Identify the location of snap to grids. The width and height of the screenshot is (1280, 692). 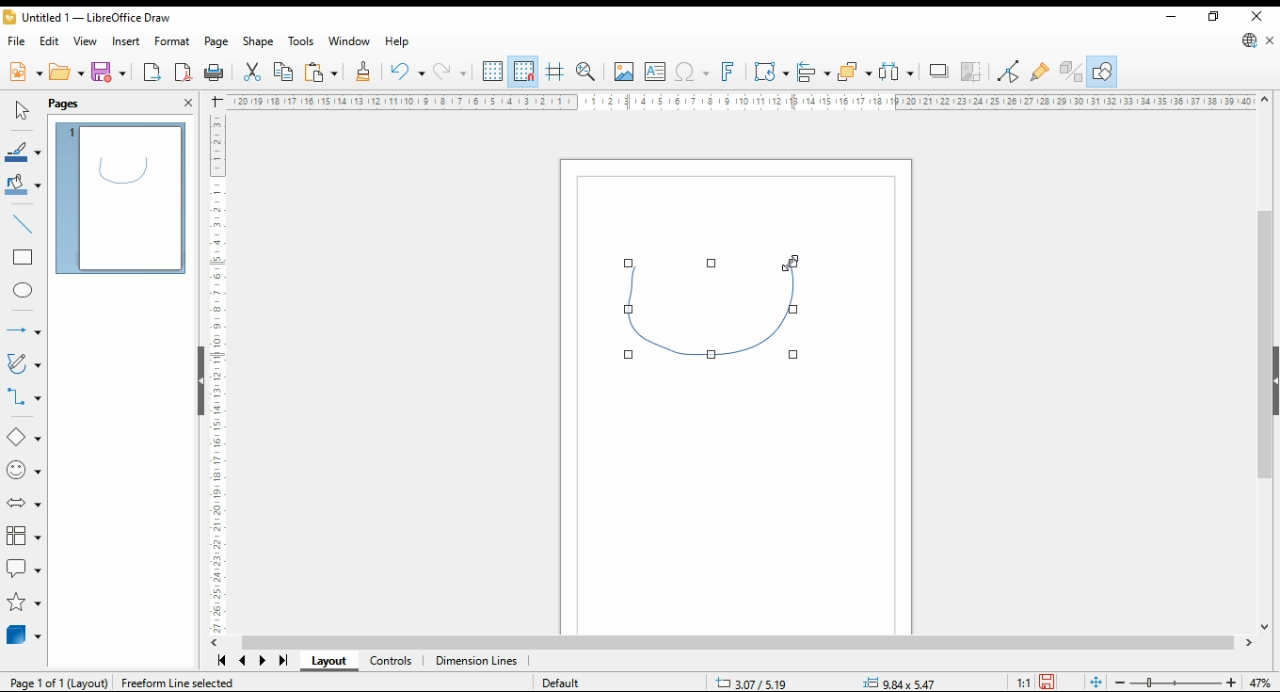
(524, 71).